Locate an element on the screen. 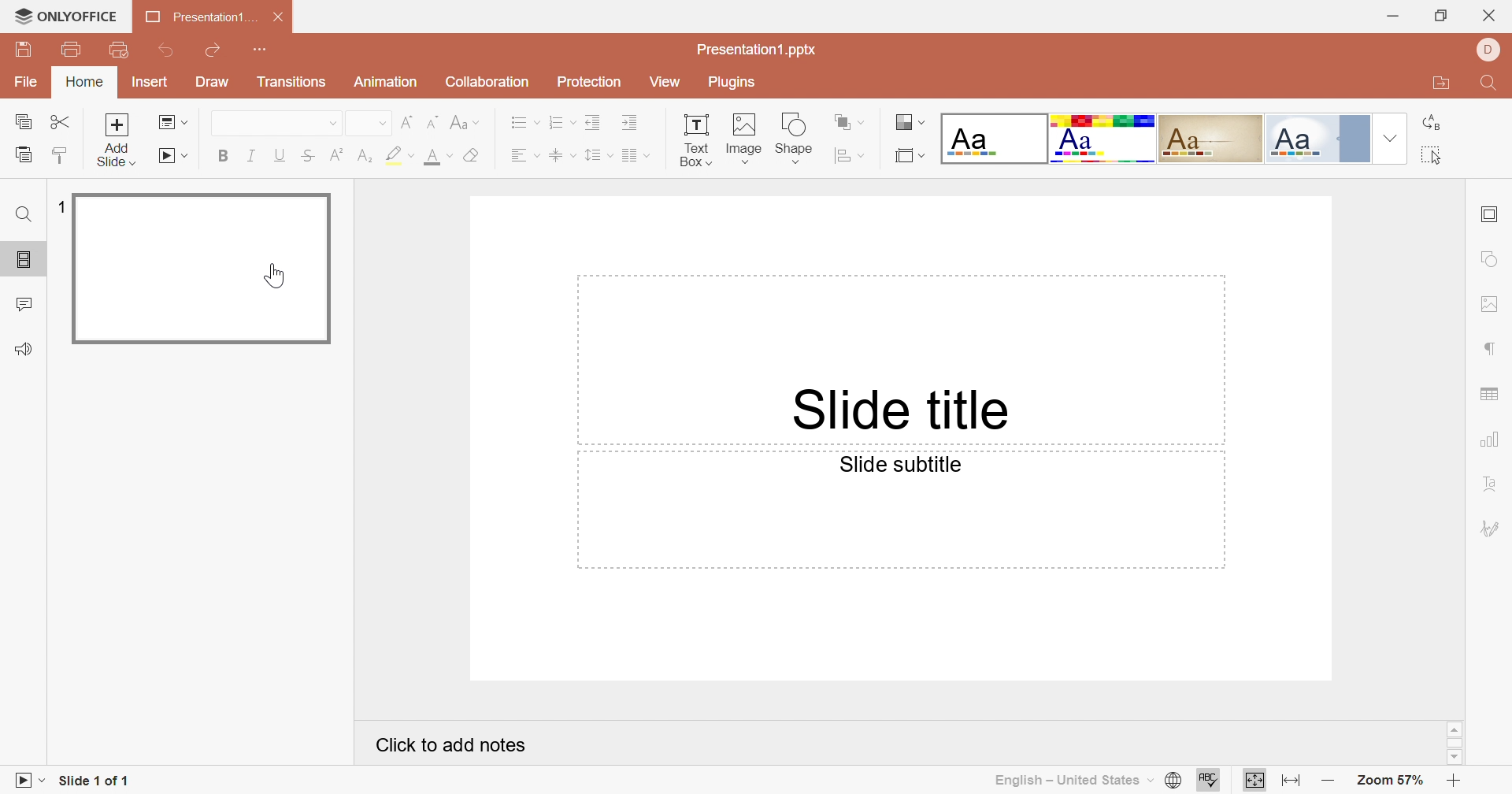  Align Text Left is located at coordinates (519, 155).